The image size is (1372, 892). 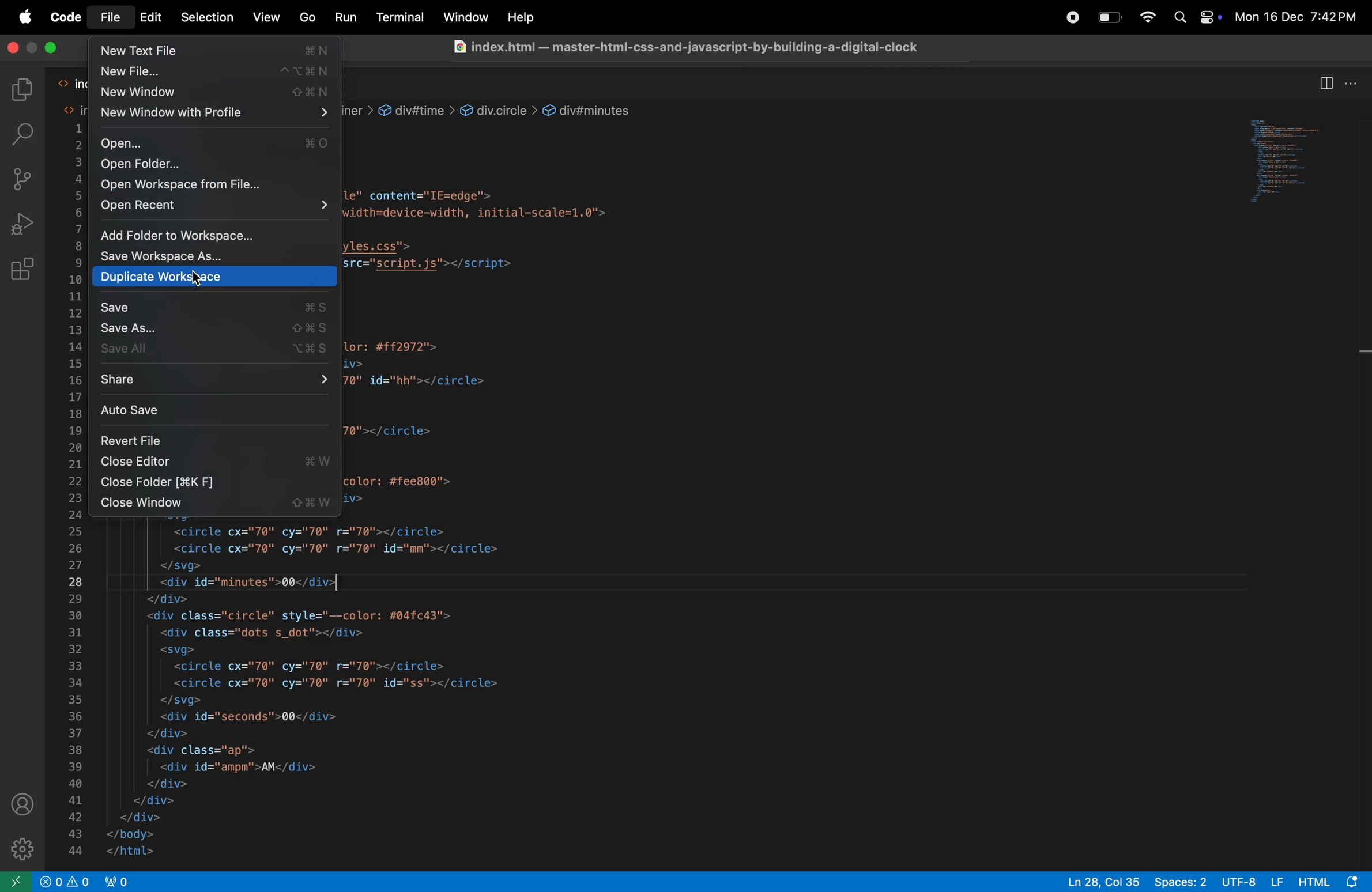 I want to click on view port, so click(x=121, y=881).